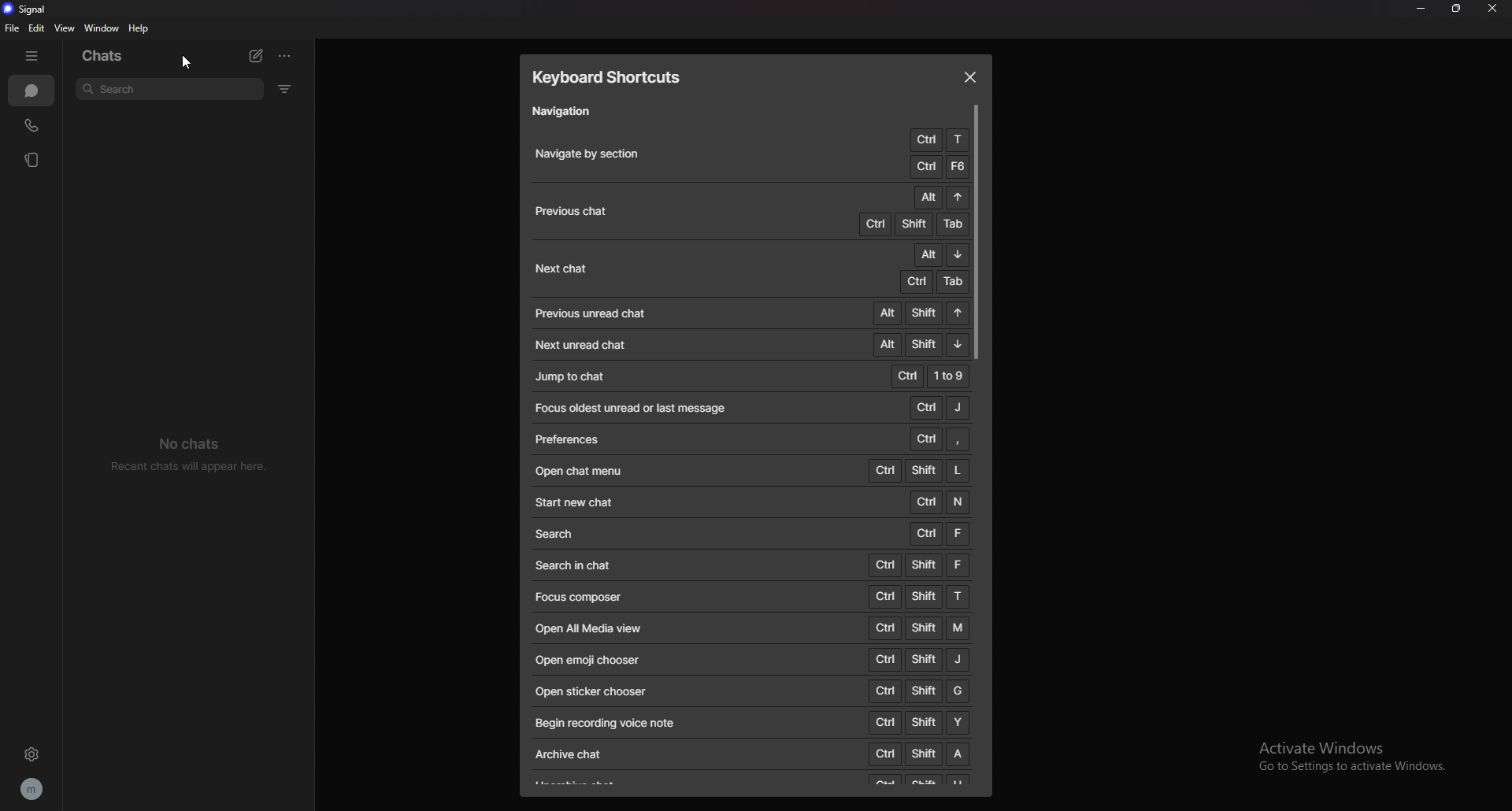 The image size is (1512, 811). What do you see at coordinates (917, 723) in the screenshot?
I see `CTRl + SHIFT + Y` at bounding box center [917, 723].